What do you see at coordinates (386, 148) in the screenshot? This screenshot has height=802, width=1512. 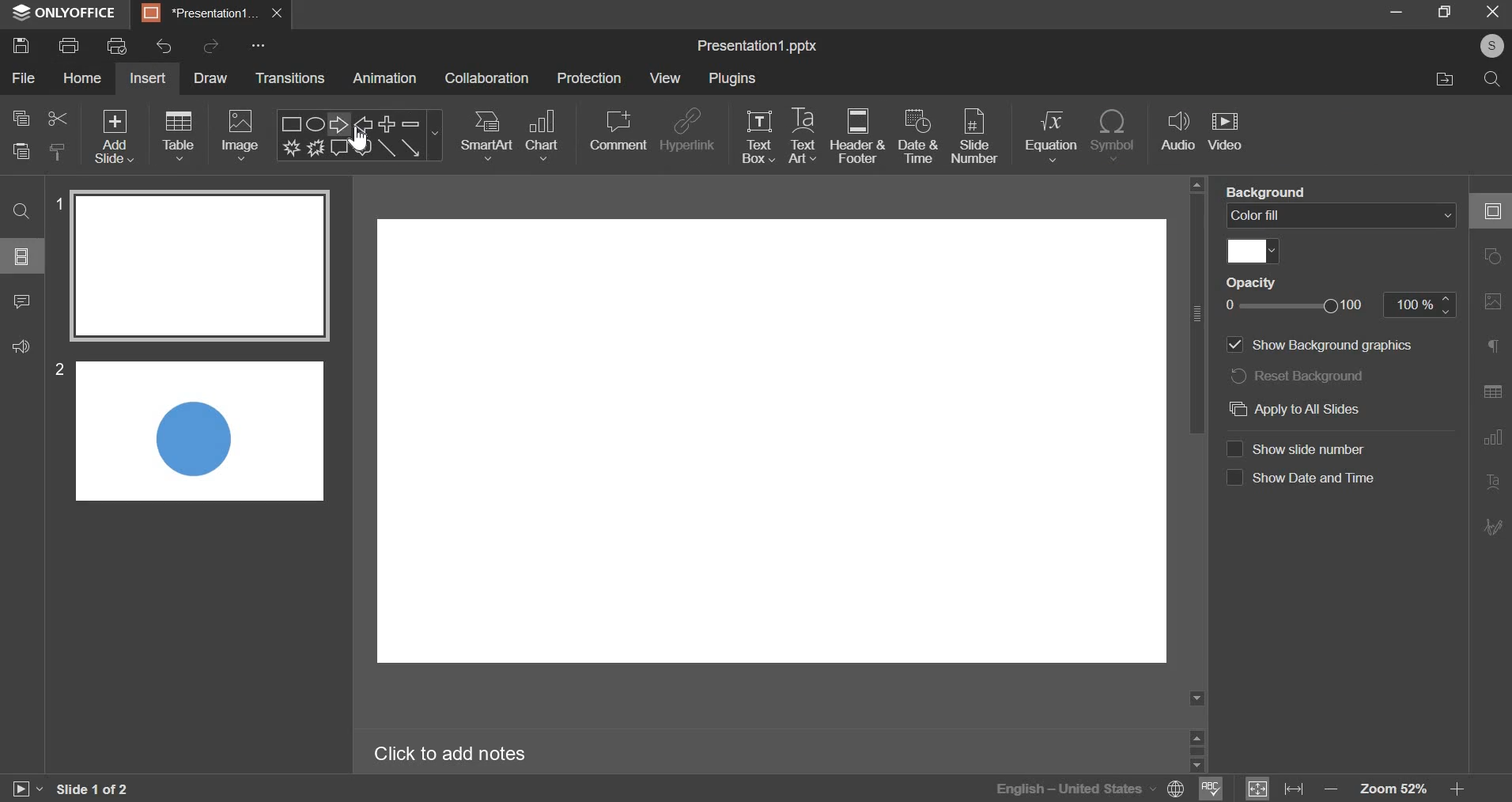 I see `Line` at bounding box center [386, 148].